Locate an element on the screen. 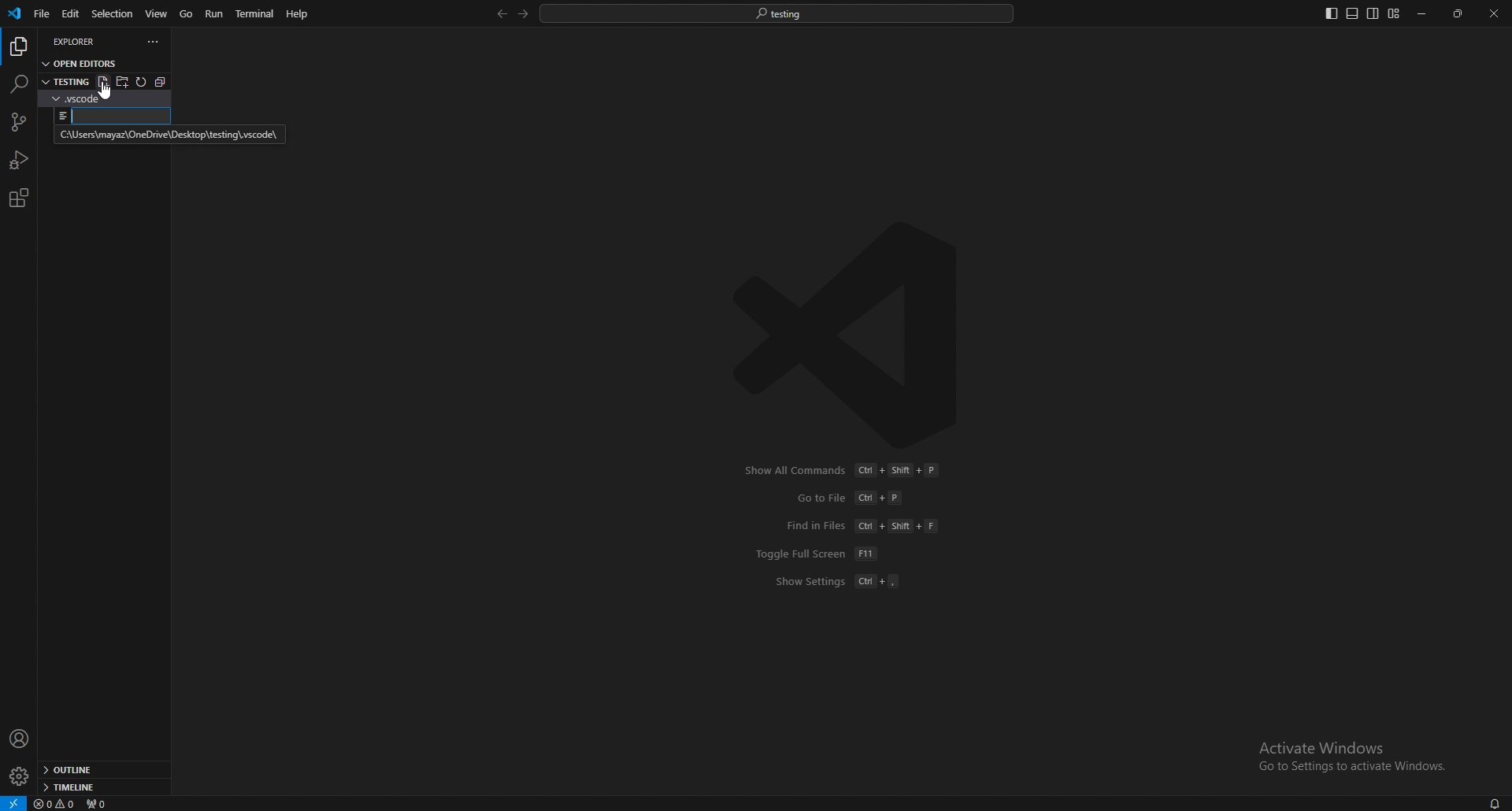  shortcuts is located at coordinates (849, 526).